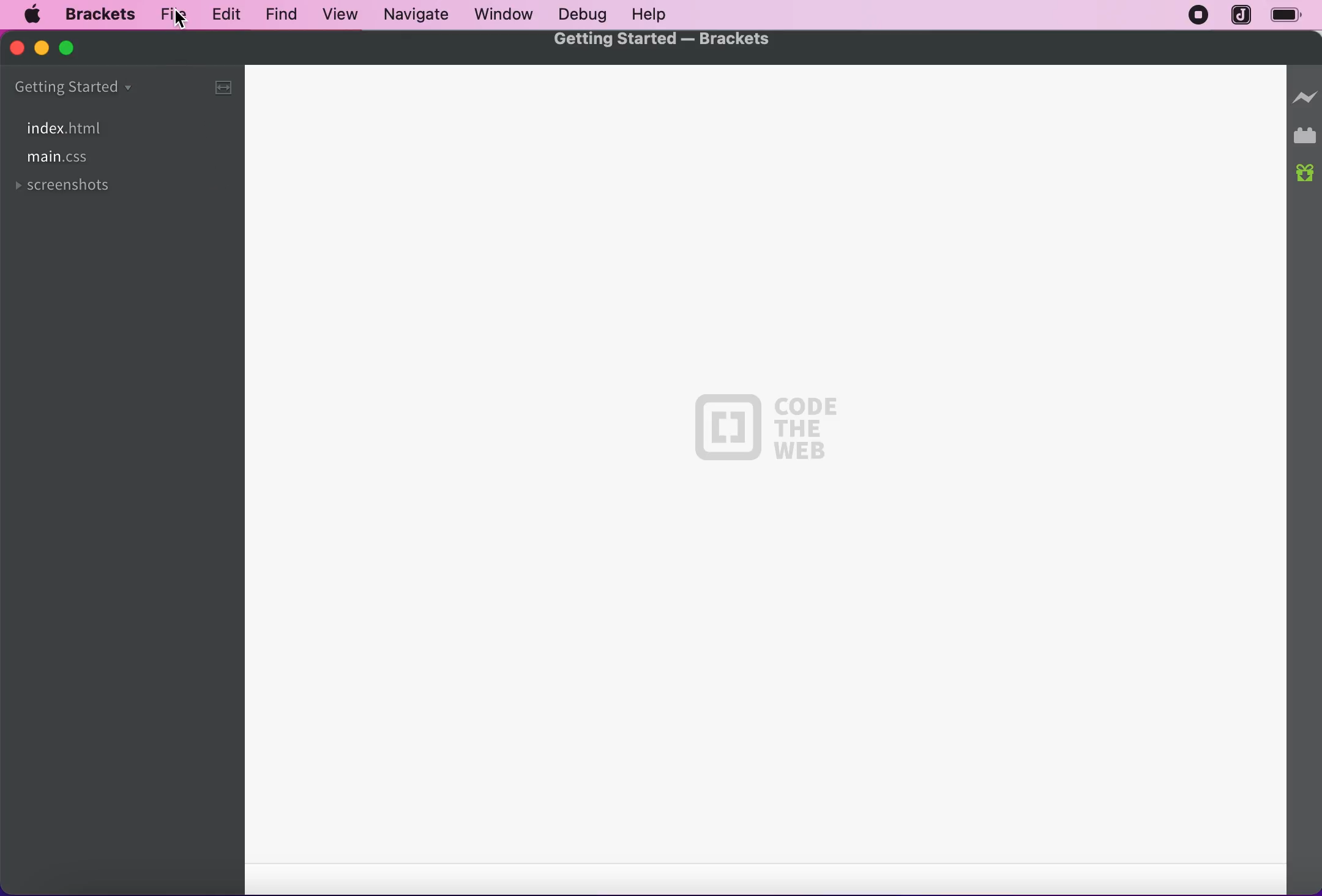 The height and width of the screenshot is (896, 1322). What do you see at coordinates (223, 13) in the screenshot?
I see `edit` at bounding box center [223, 13].